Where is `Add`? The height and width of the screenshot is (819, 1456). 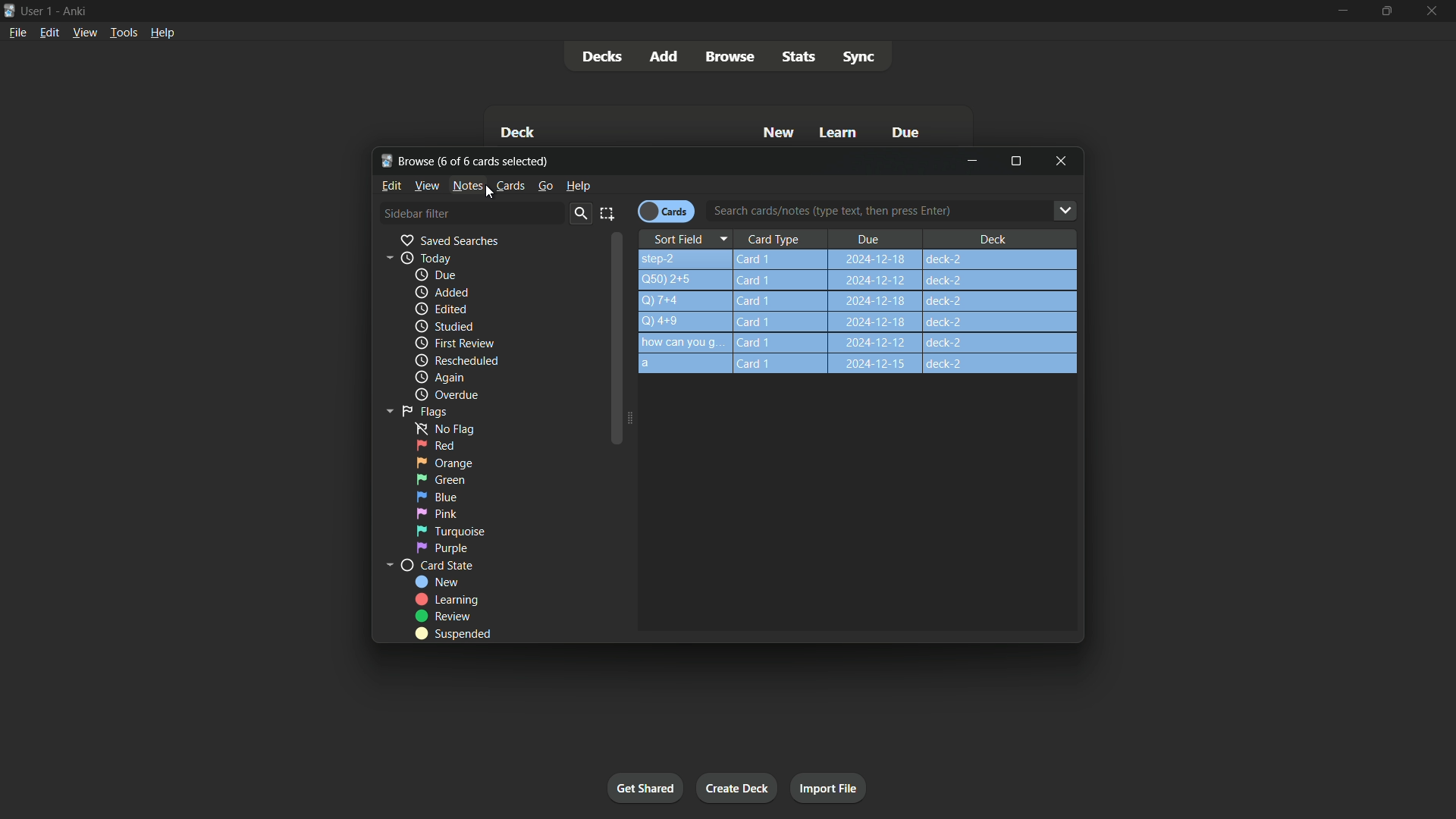
Add is located at coordinates (666, 57).